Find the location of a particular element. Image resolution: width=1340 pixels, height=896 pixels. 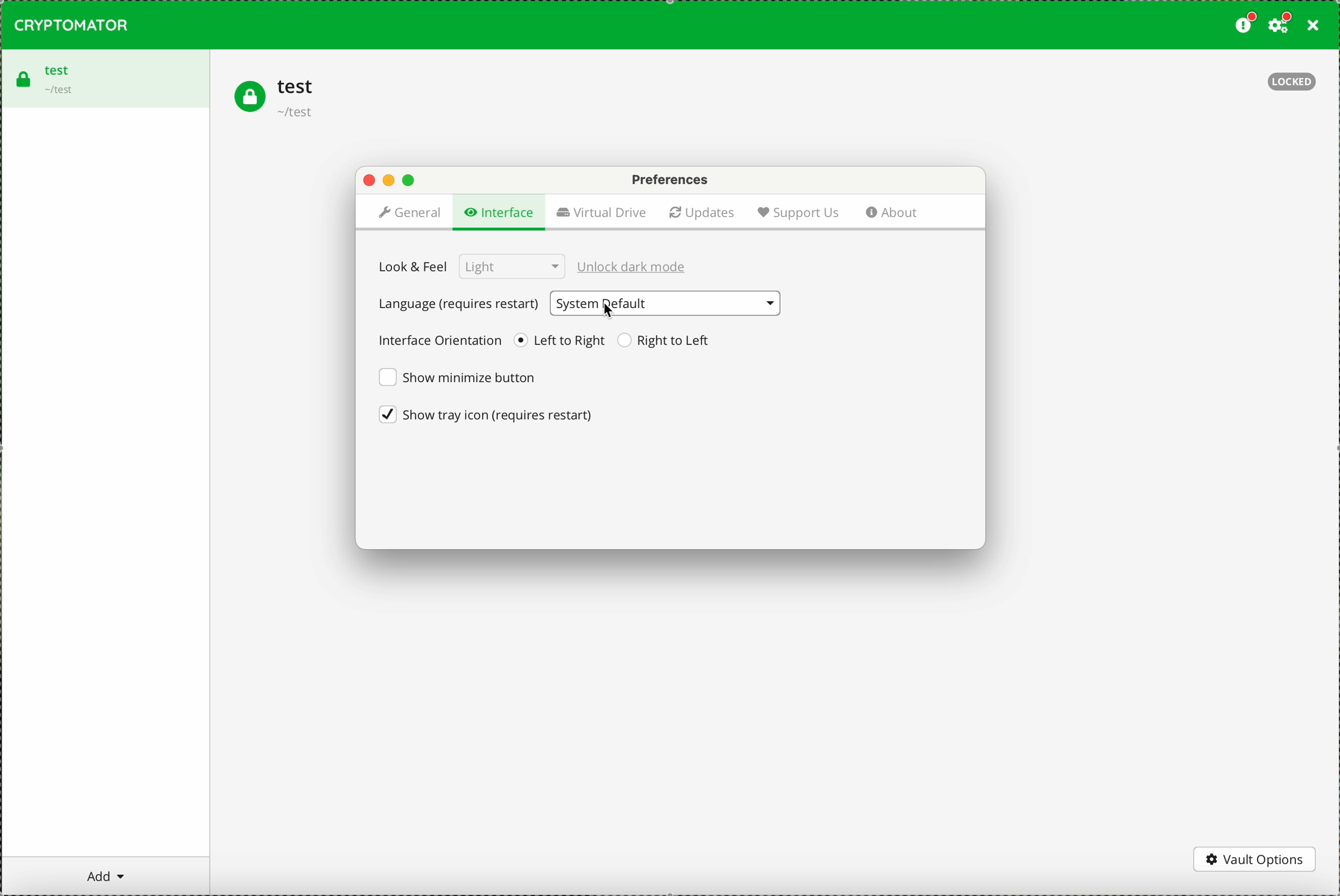

right to left is located at coordinates (666, 341).